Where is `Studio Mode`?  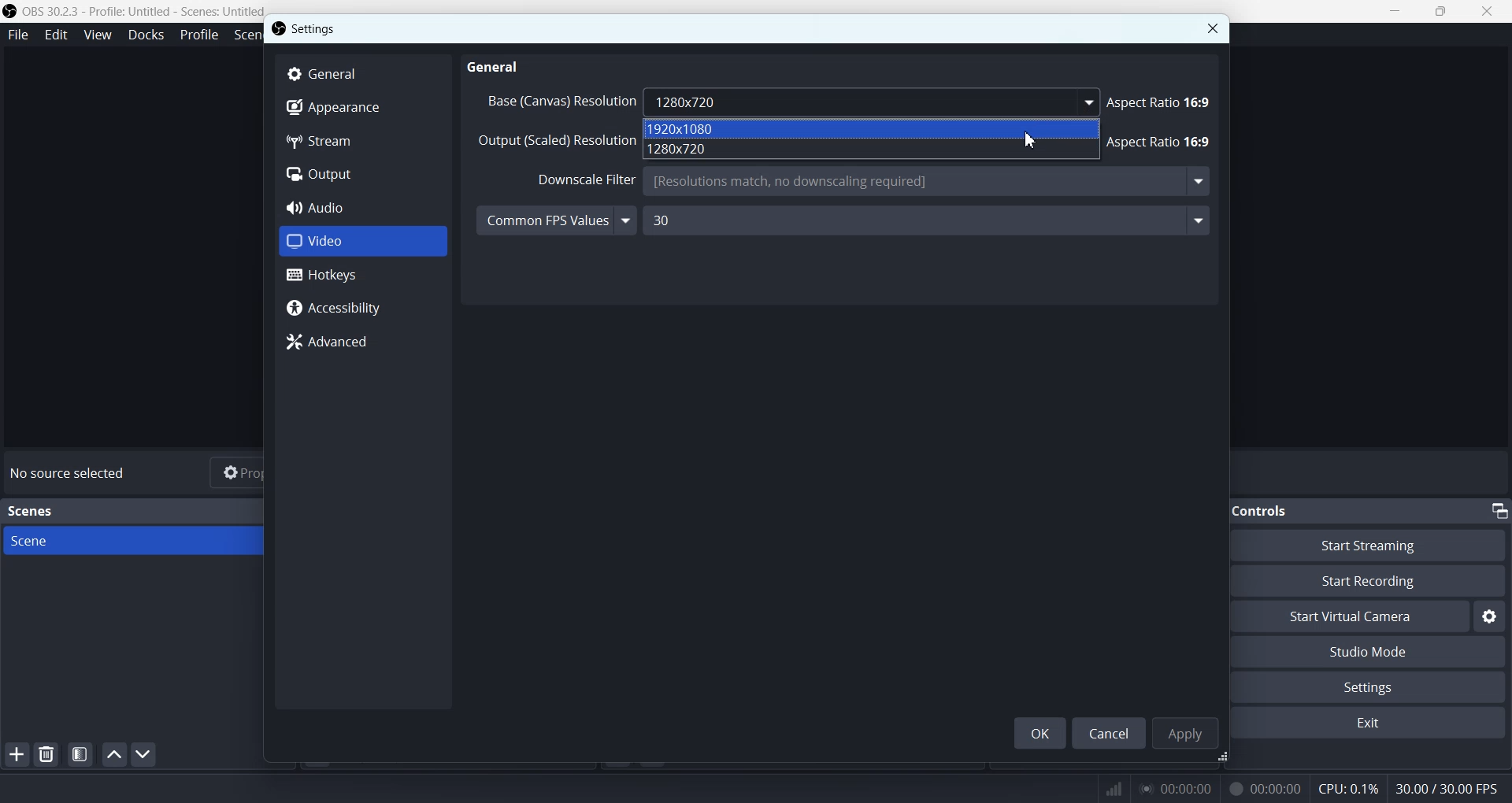
Studio Mode is located at coordinates (1377, 653).